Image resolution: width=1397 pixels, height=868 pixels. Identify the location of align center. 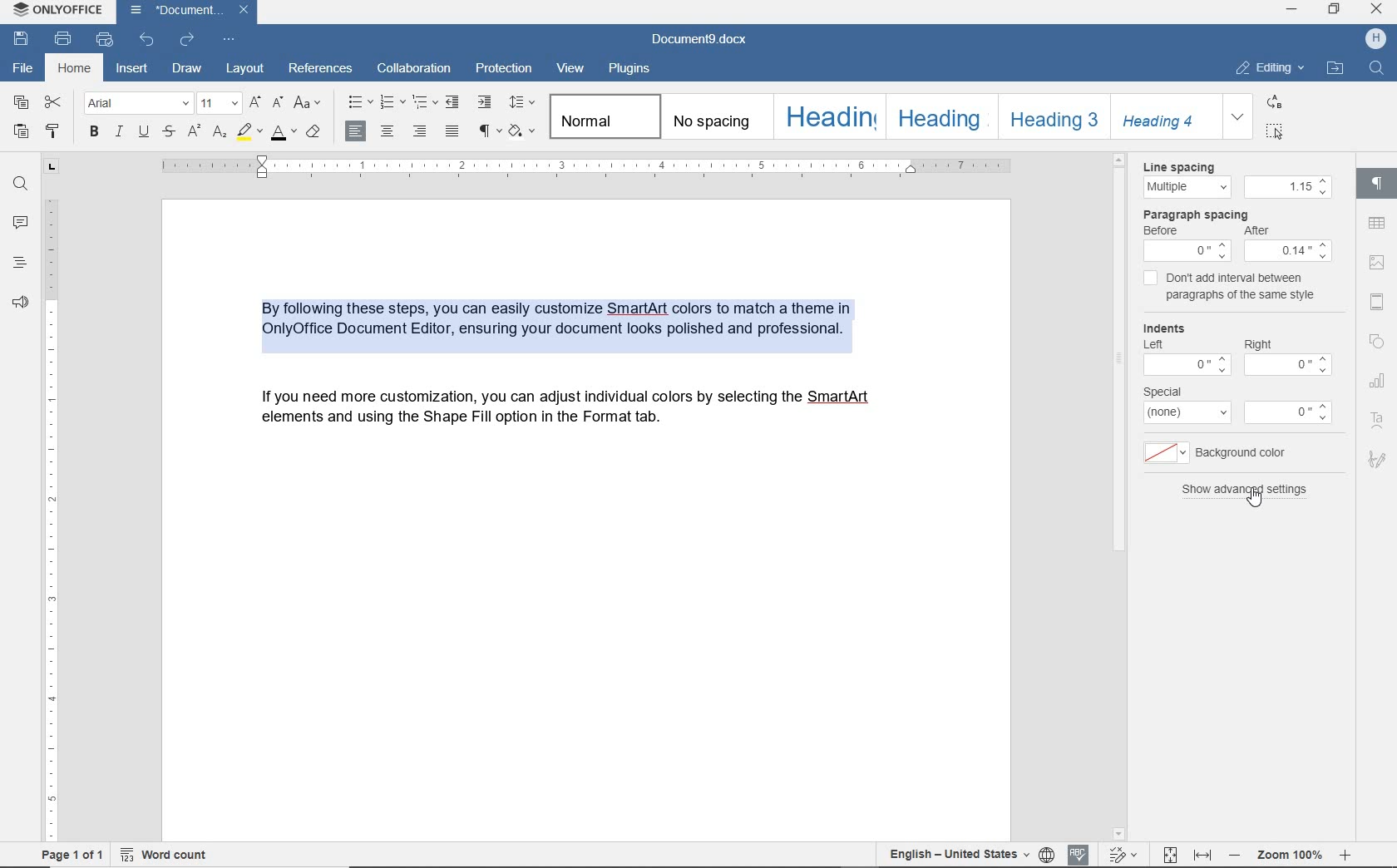
(388, 131).